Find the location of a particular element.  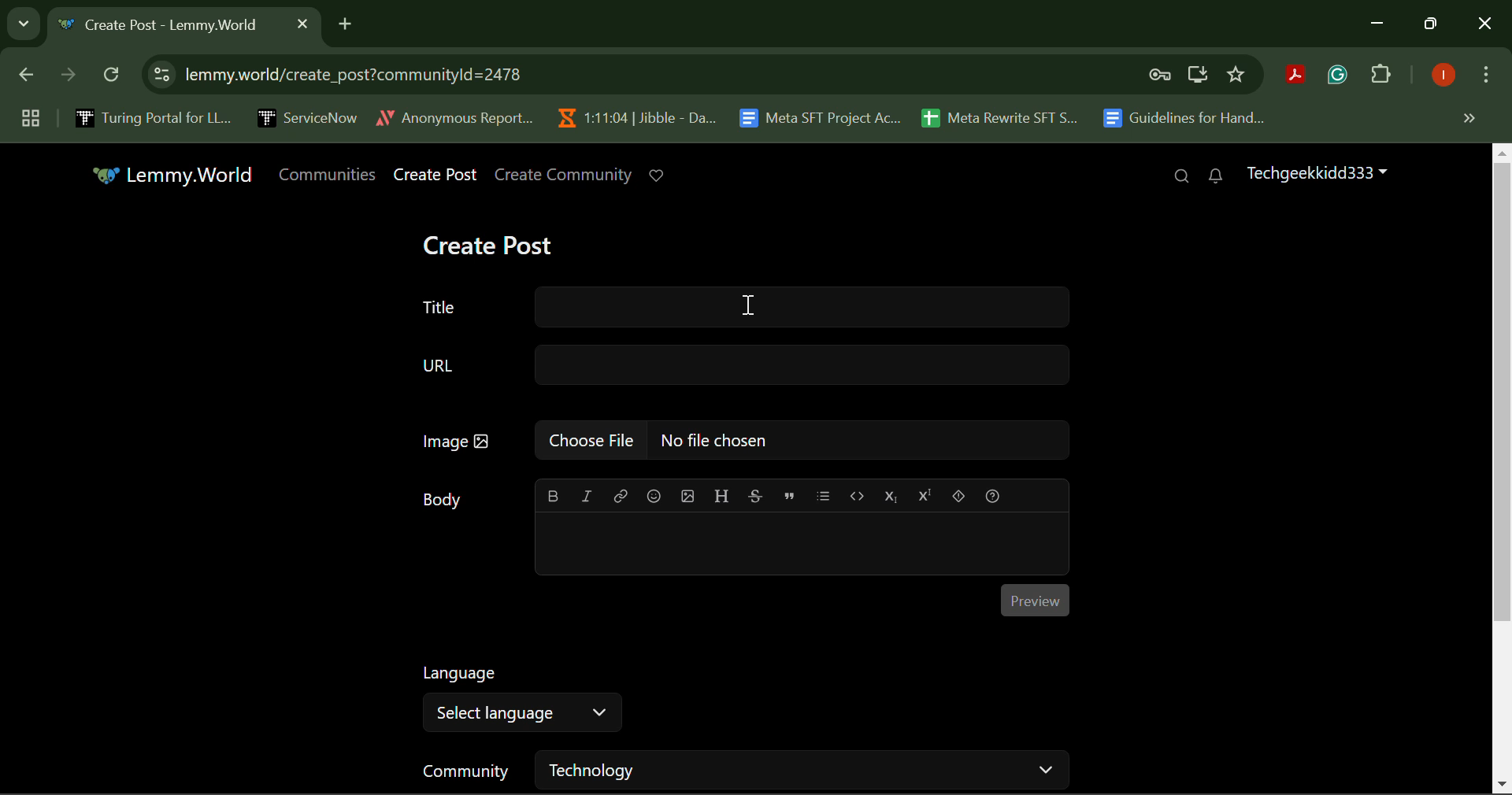

Meta SFT Project is located at coordinates (822, 116).